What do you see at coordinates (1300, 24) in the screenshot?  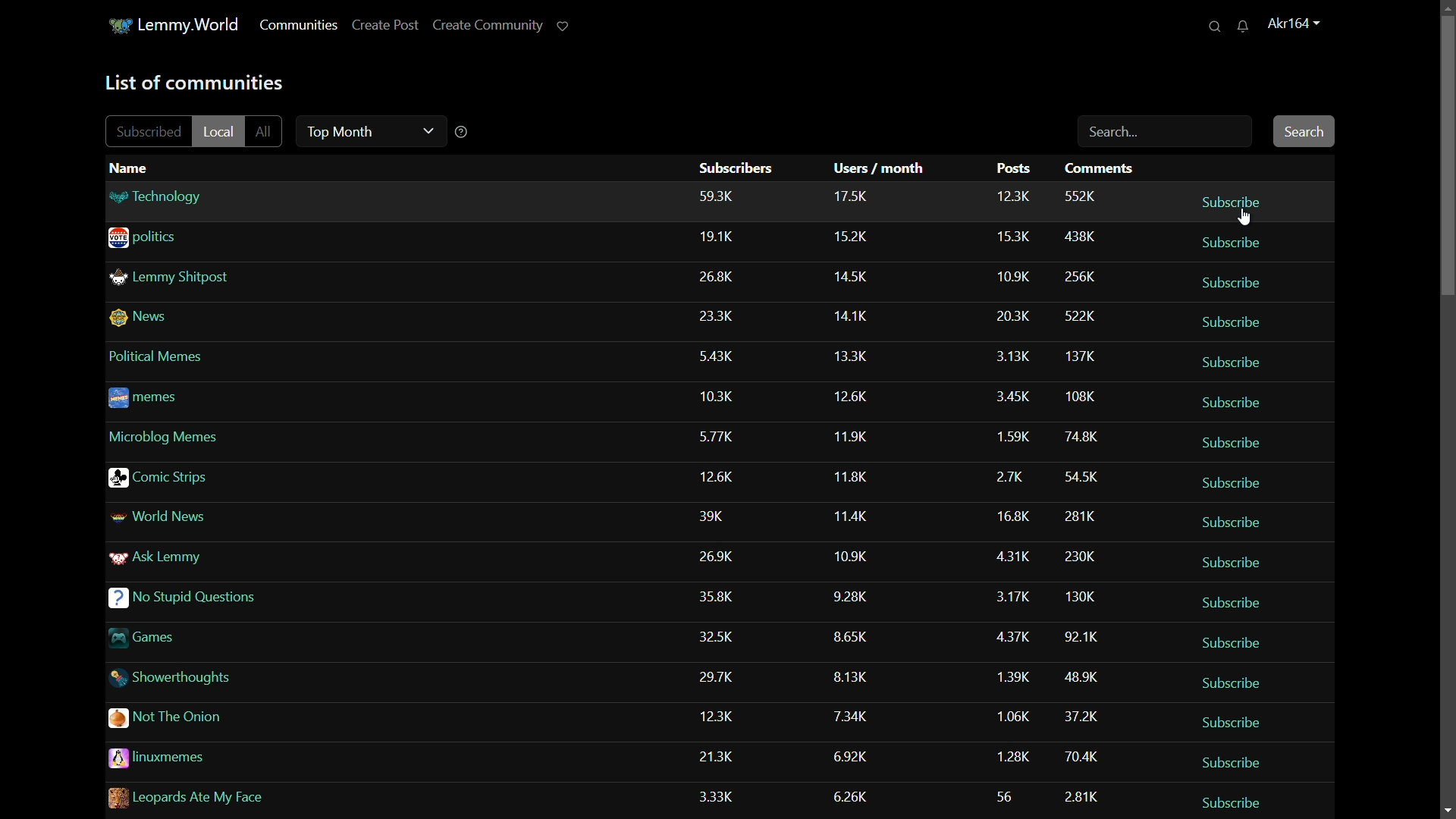 I see `username` at bounding box center [1300, 24].